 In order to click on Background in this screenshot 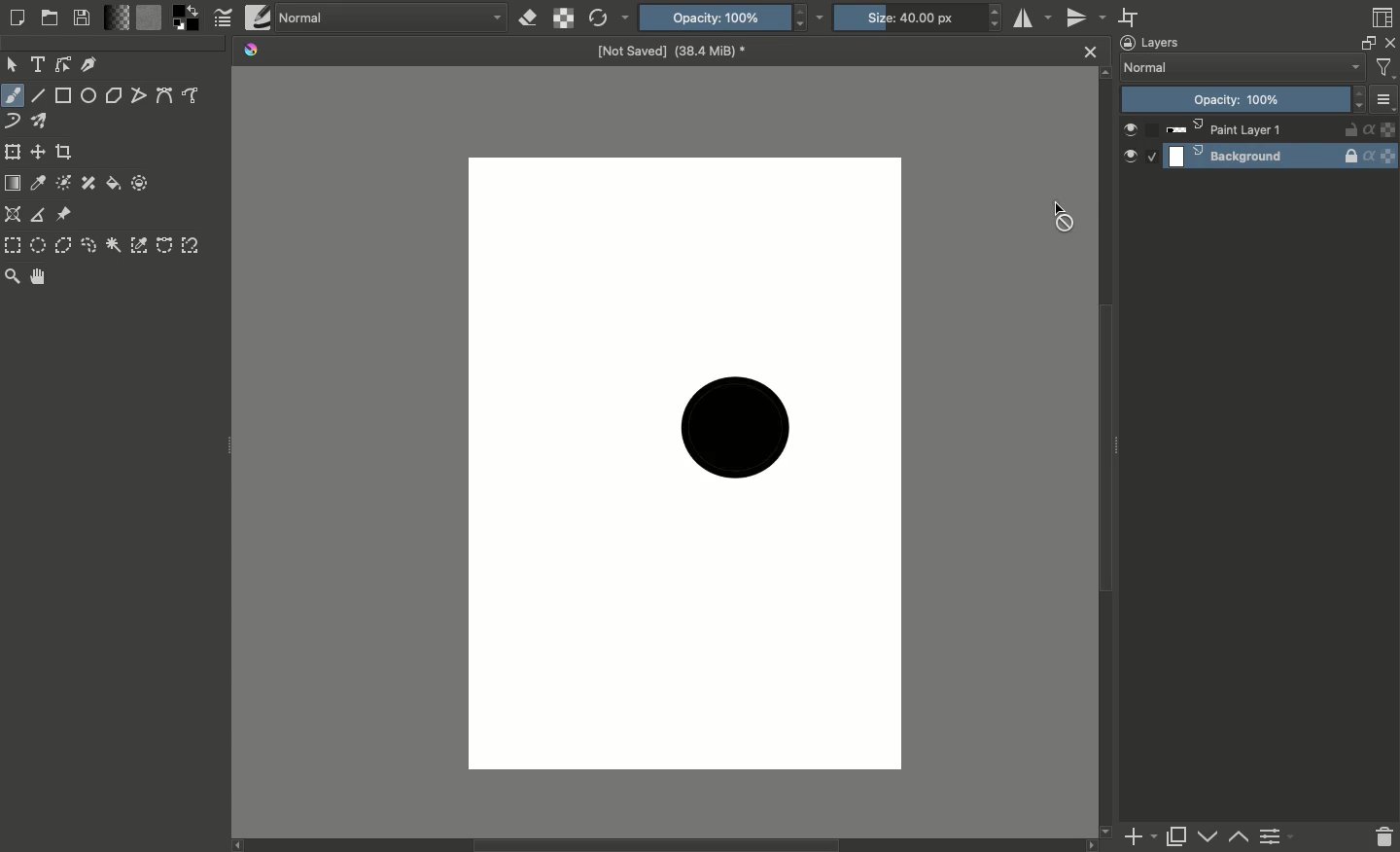, I will do `click(1391, 145)`.